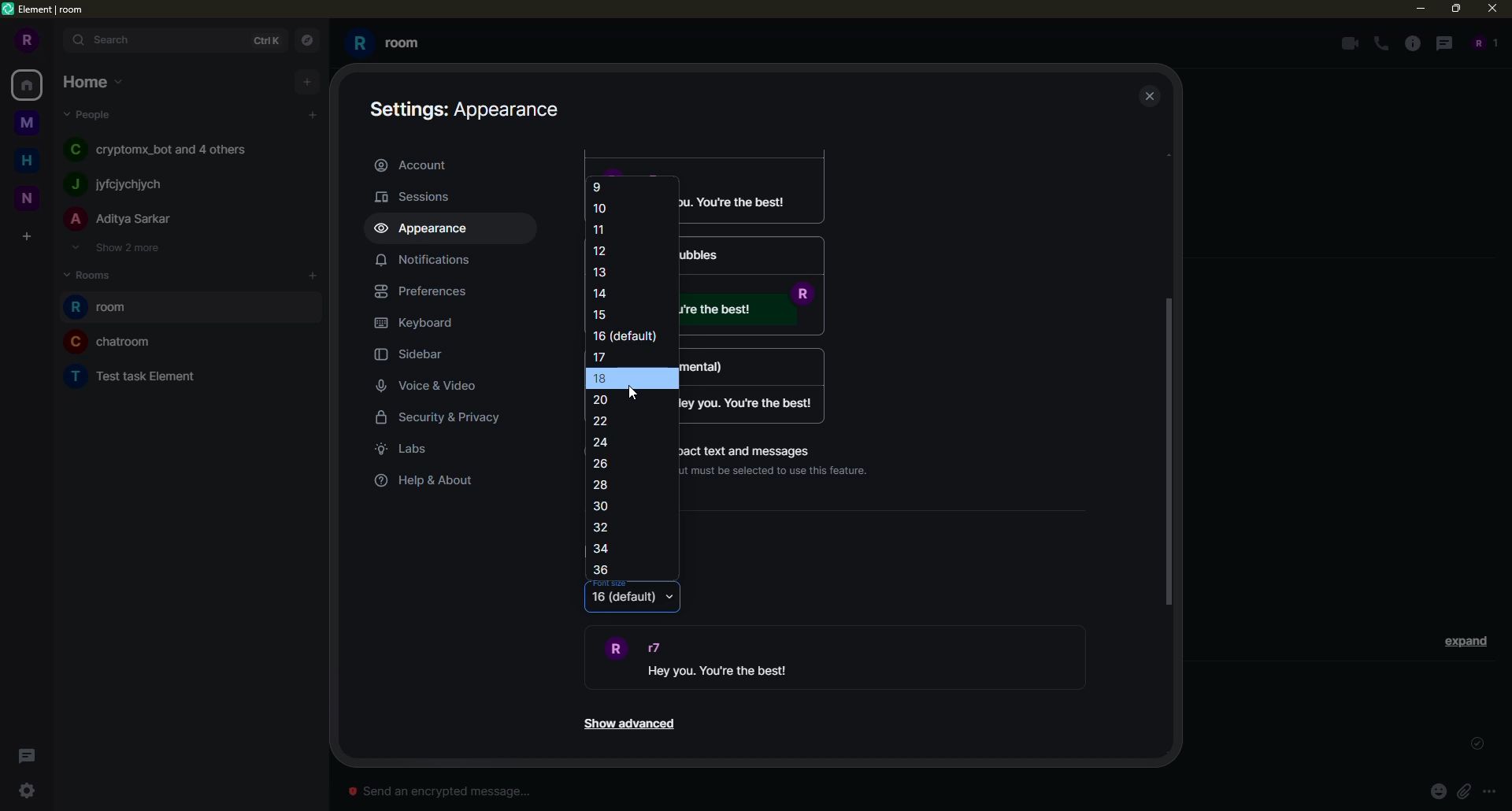 The height and width of the screenshot is (811, 1512). What do you see at coordinates (428, 229) in the screenshot?
I see `appearance` at bounding box center [428, 229].